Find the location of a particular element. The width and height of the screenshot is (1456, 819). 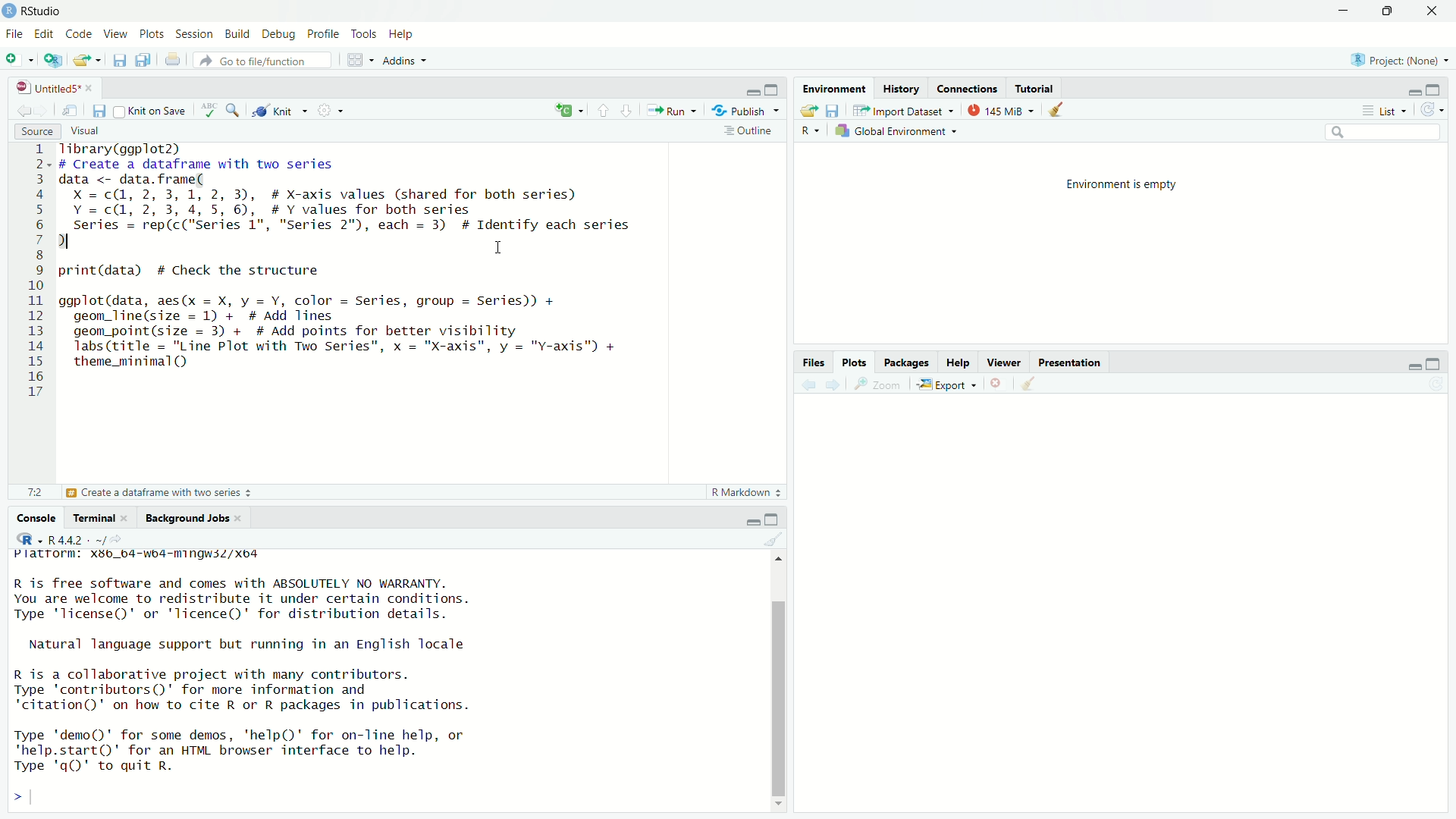

Refresh the list of object in the Environment is located at coordinates (1432, 111).